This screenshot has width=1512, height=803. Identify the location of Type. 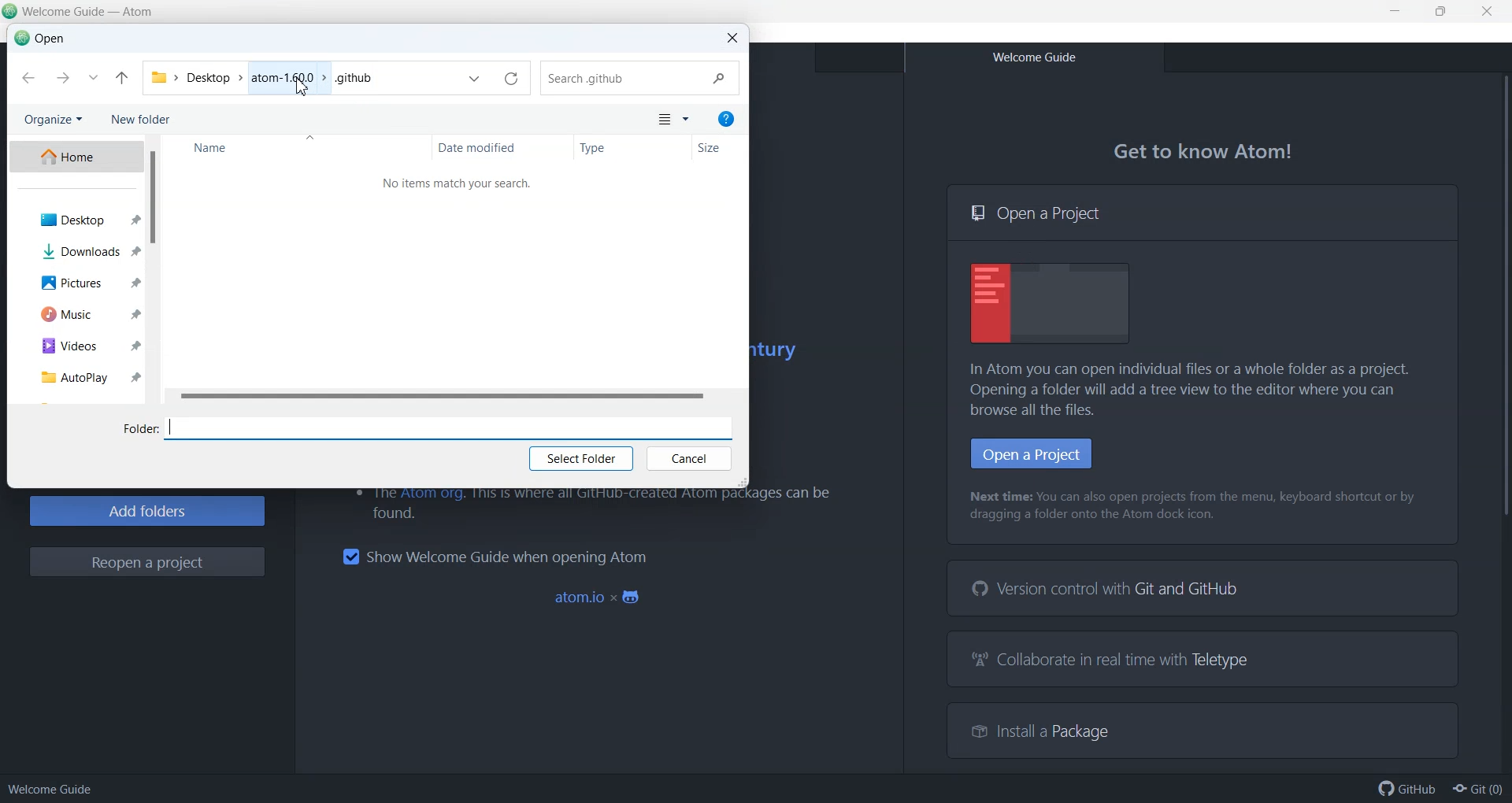
(632, 148).